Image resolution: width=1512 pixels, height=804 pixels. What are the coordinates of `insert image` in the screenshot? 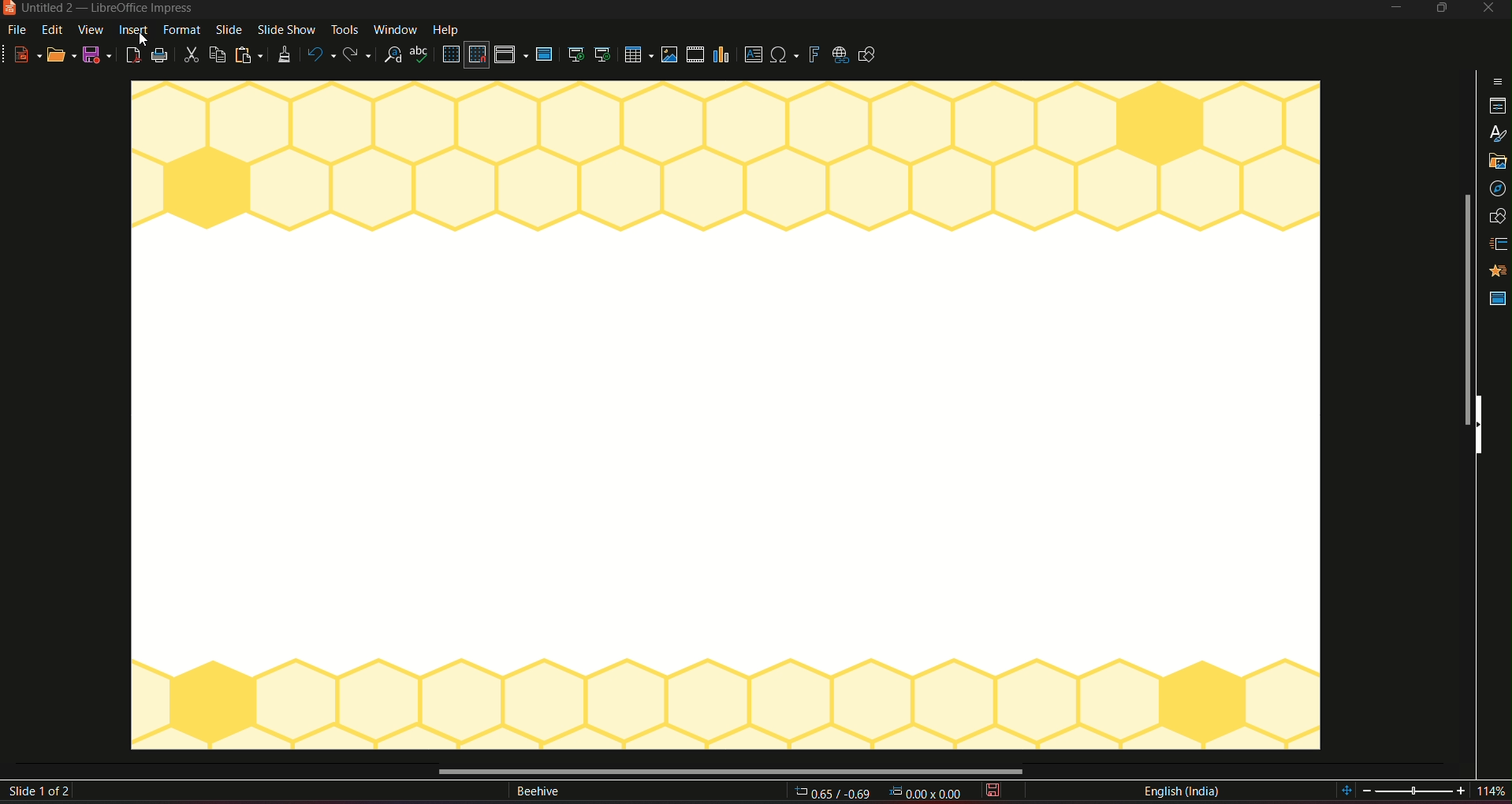 It's located at (668, 54).